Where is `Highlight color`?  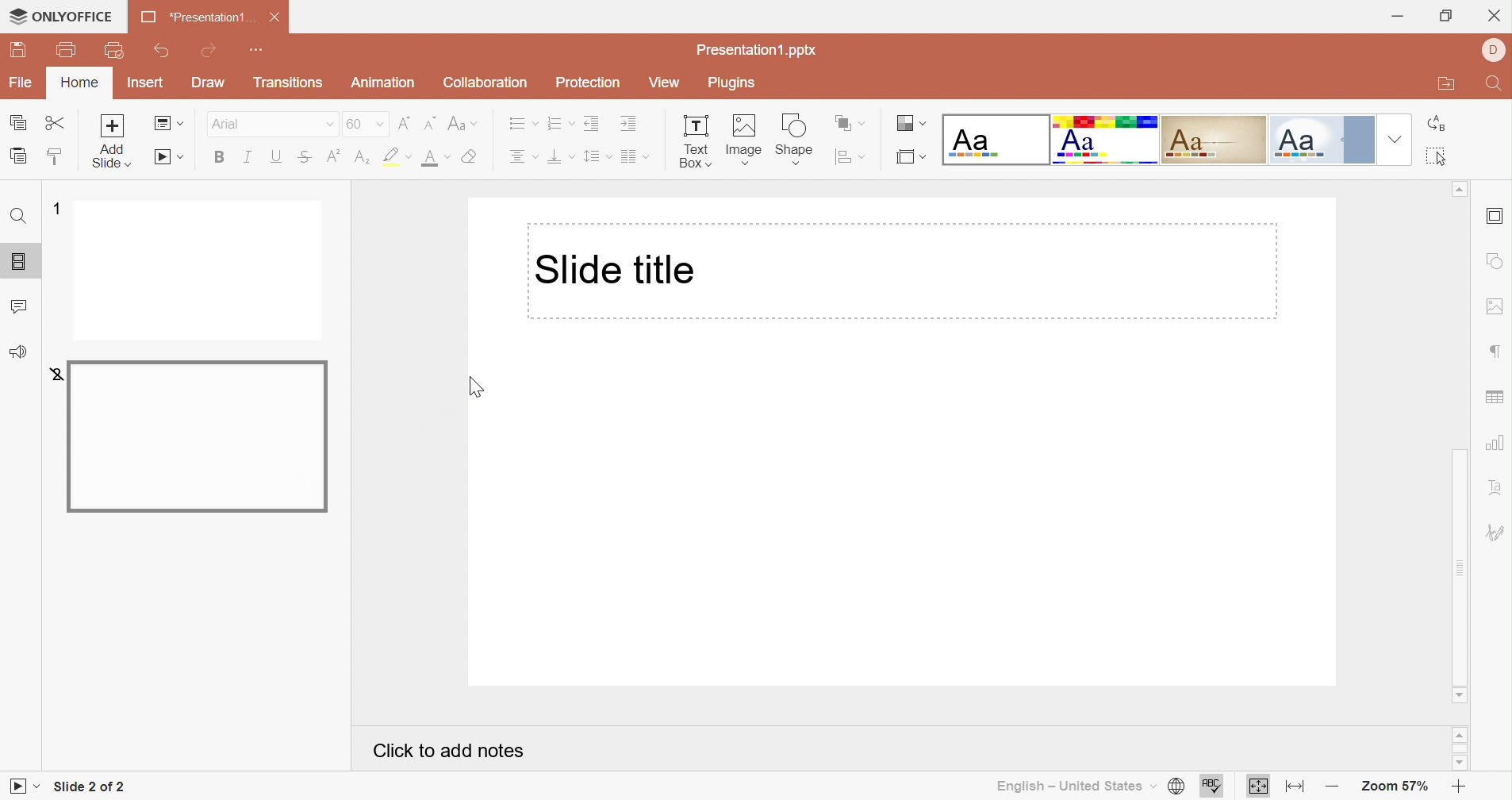
Highlight color is located at coordinates (398, 156).